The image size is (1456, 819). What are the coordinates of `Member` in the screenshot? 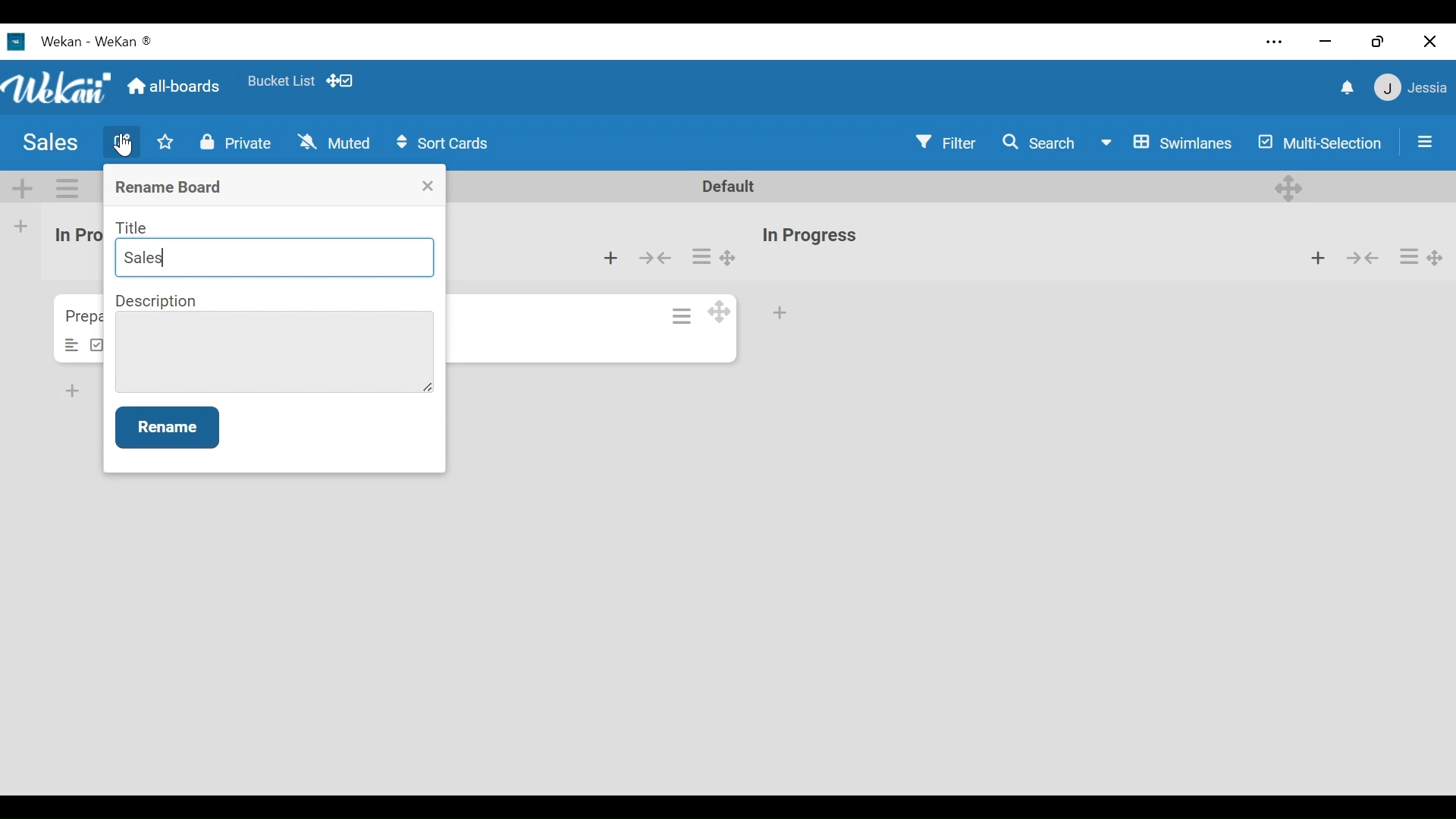 It's located at (1412, 87).